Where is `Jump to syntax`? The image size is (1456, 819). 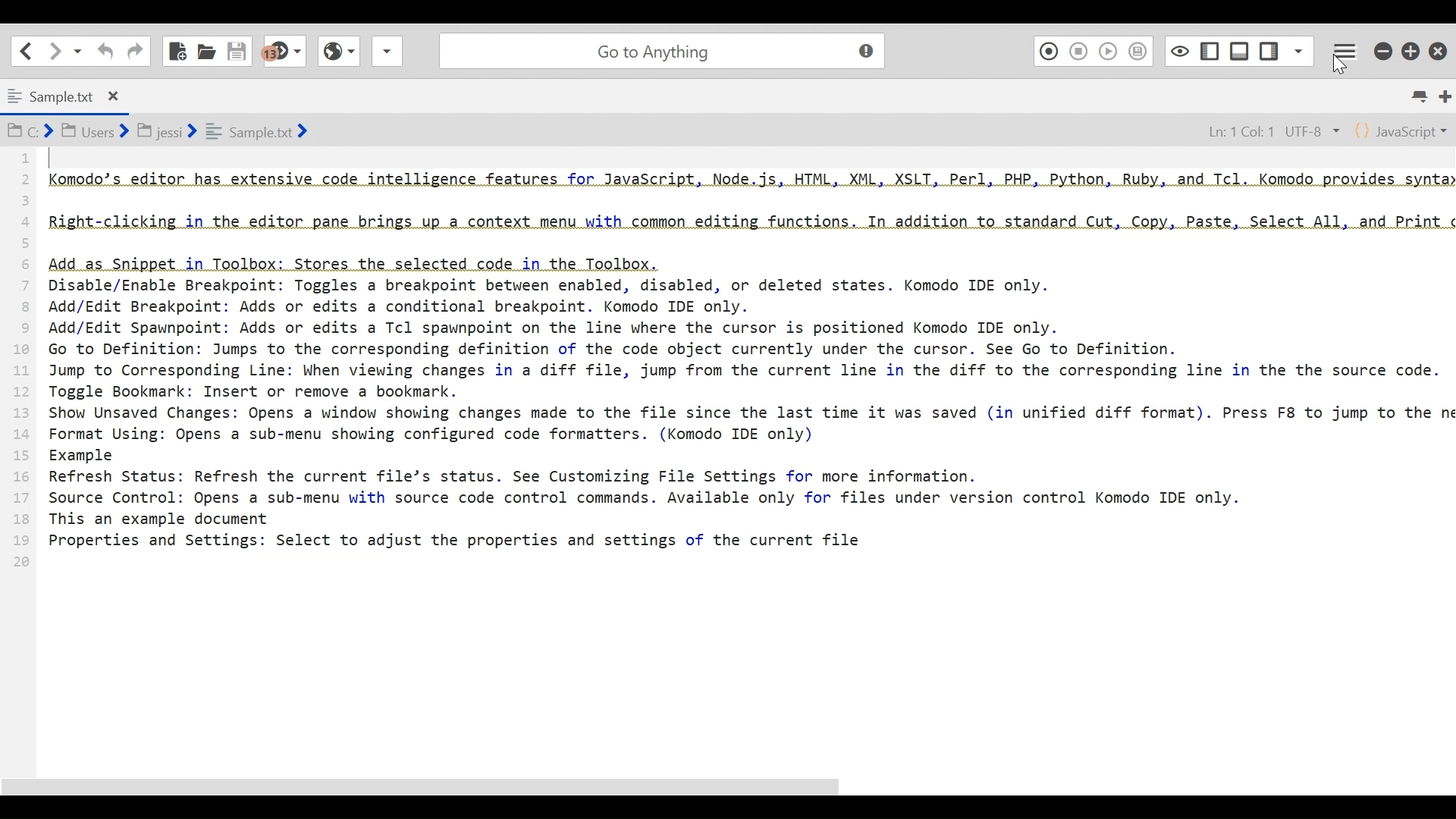
Jump to syntax is located at coordinates (286, 52).